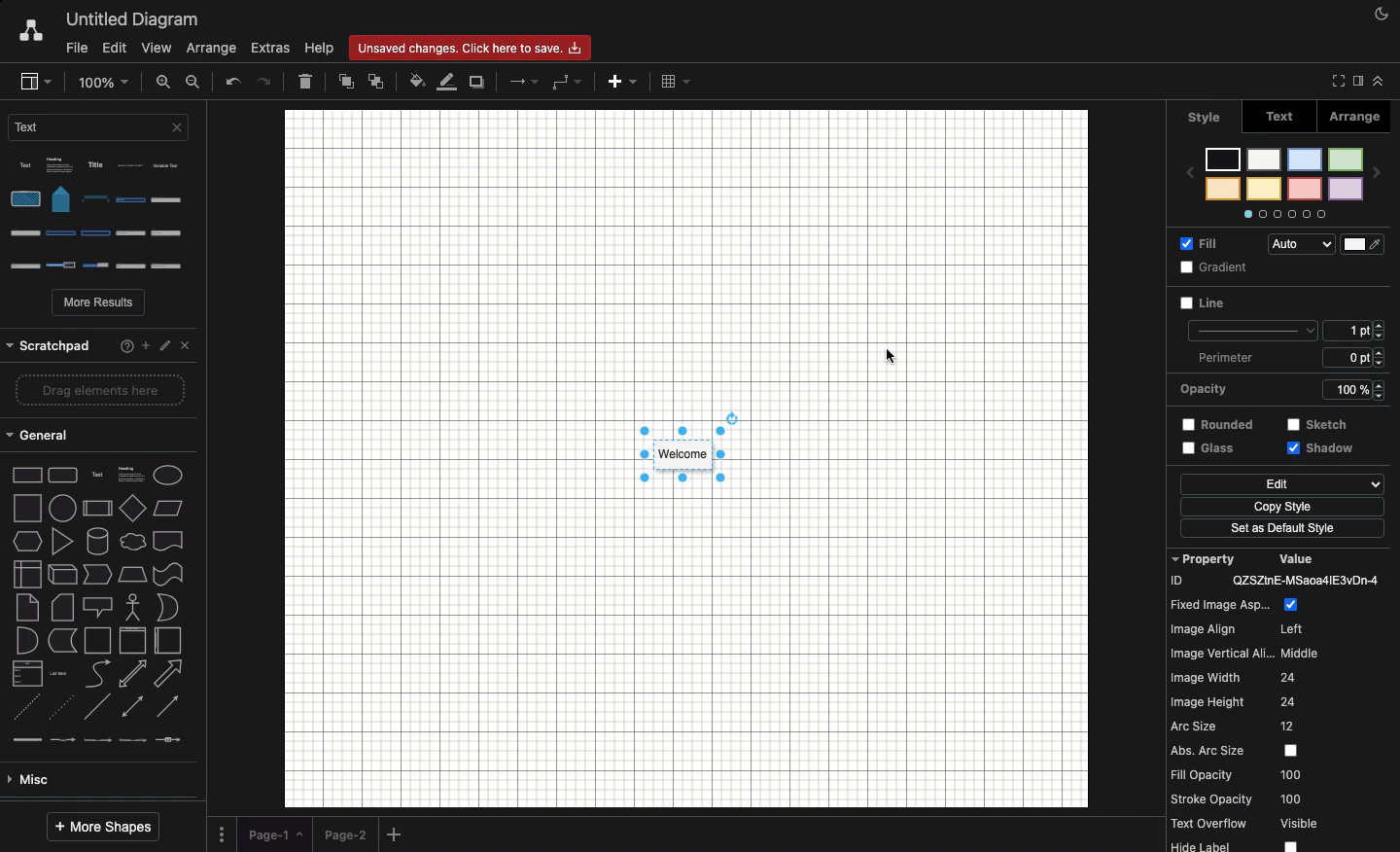 The width and height of the screenshot is (1400, 852). I want to click on Fill, so click(1209, 247).